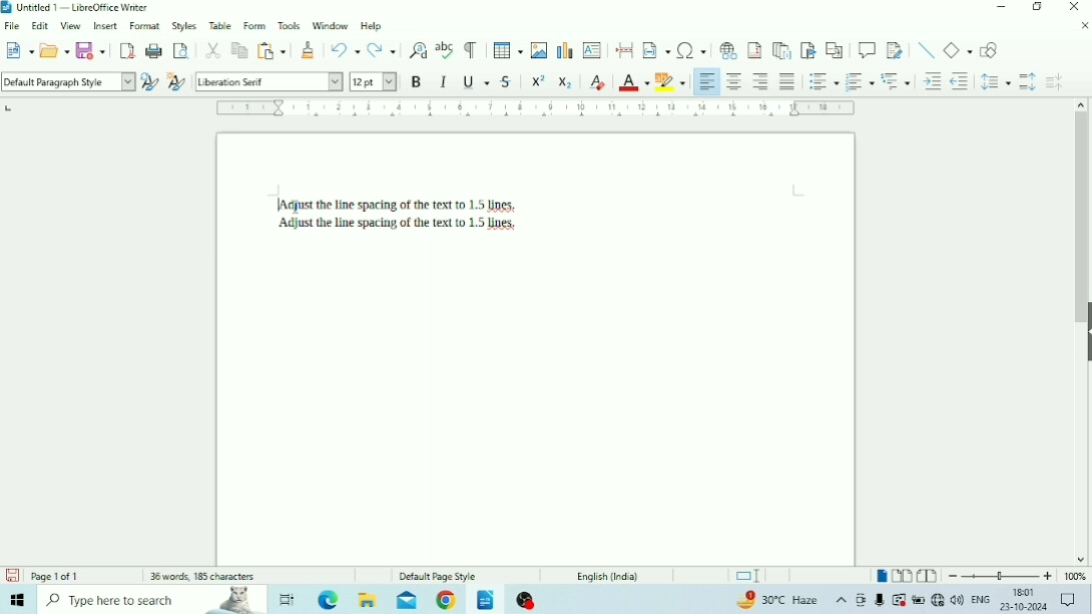  What do you see at coordinates (593, 50) in the screenshot?
I see `Insert Text Box` at bounding box center [593, 50].